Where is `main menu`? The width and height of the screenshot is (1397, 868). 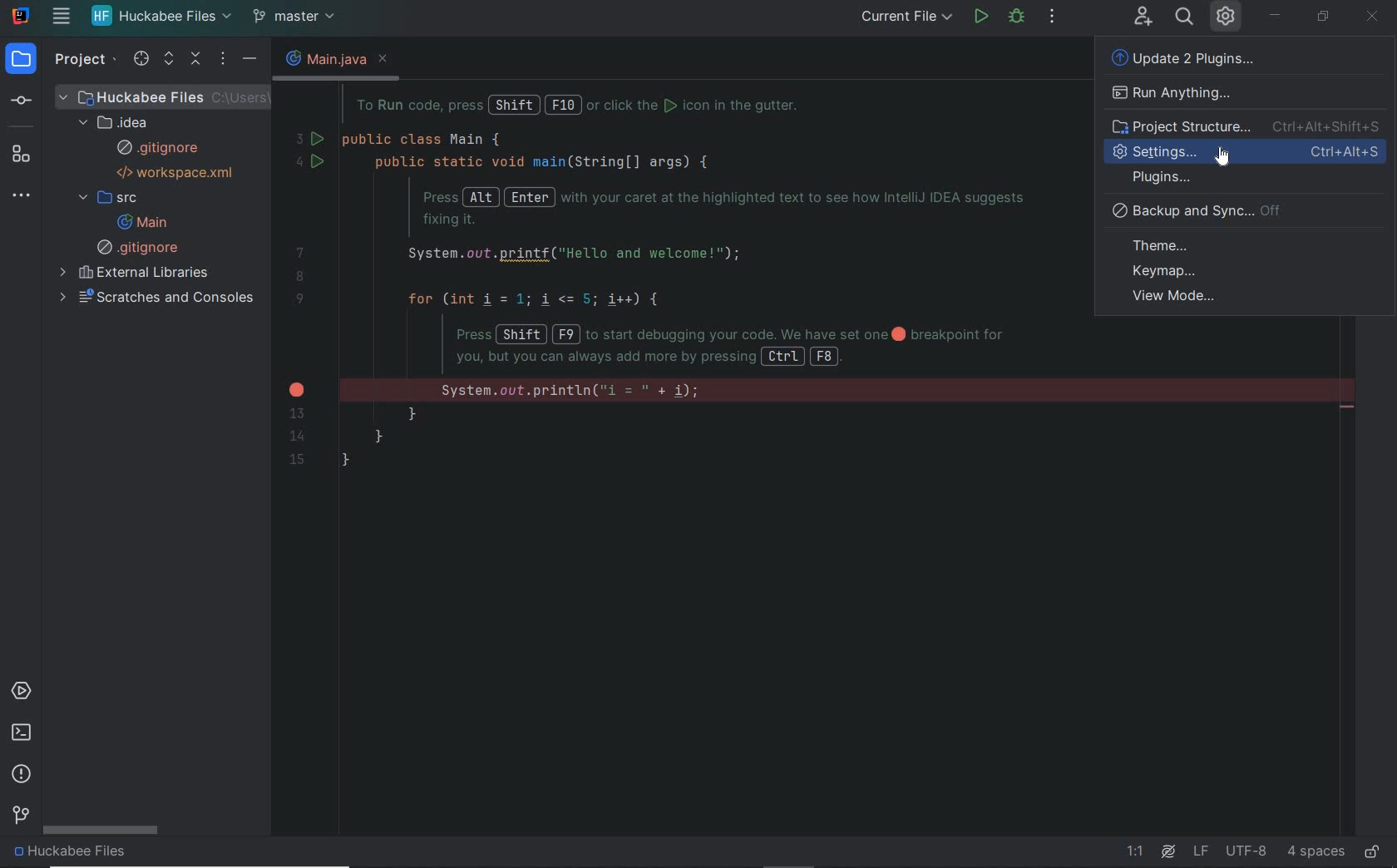 main menu is located at coordinates (61, 18).